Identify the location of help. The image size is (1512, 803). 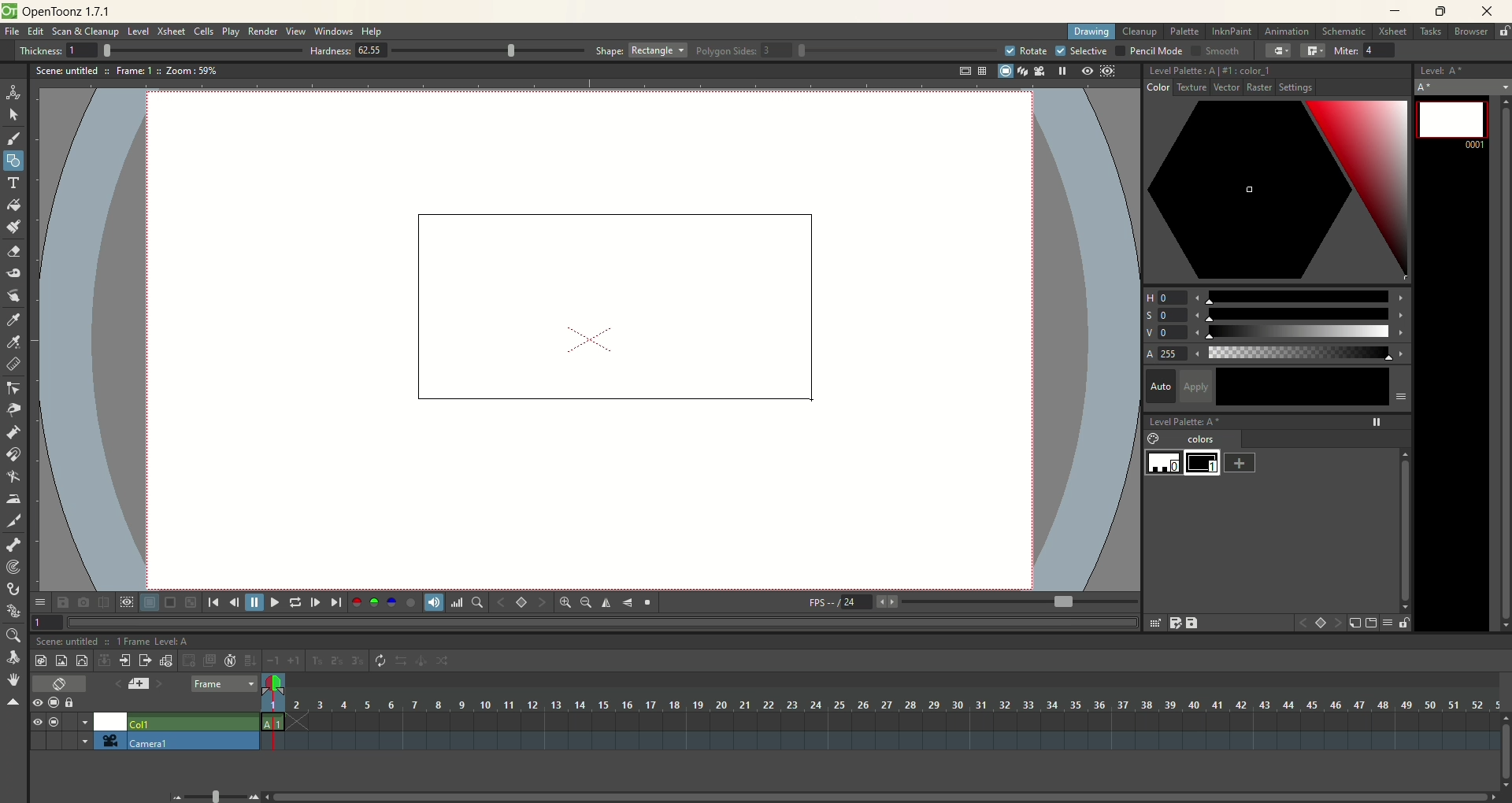
(373, 32).